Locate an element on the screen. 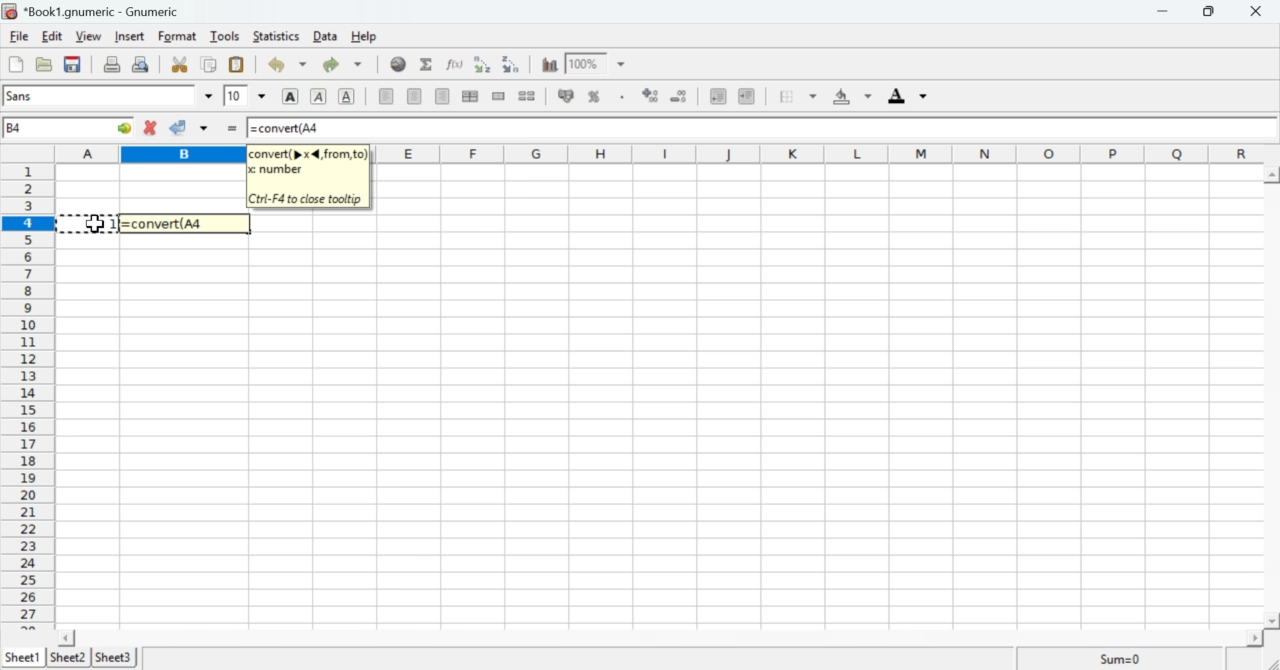  Undo is located at coordinates (289, 64).